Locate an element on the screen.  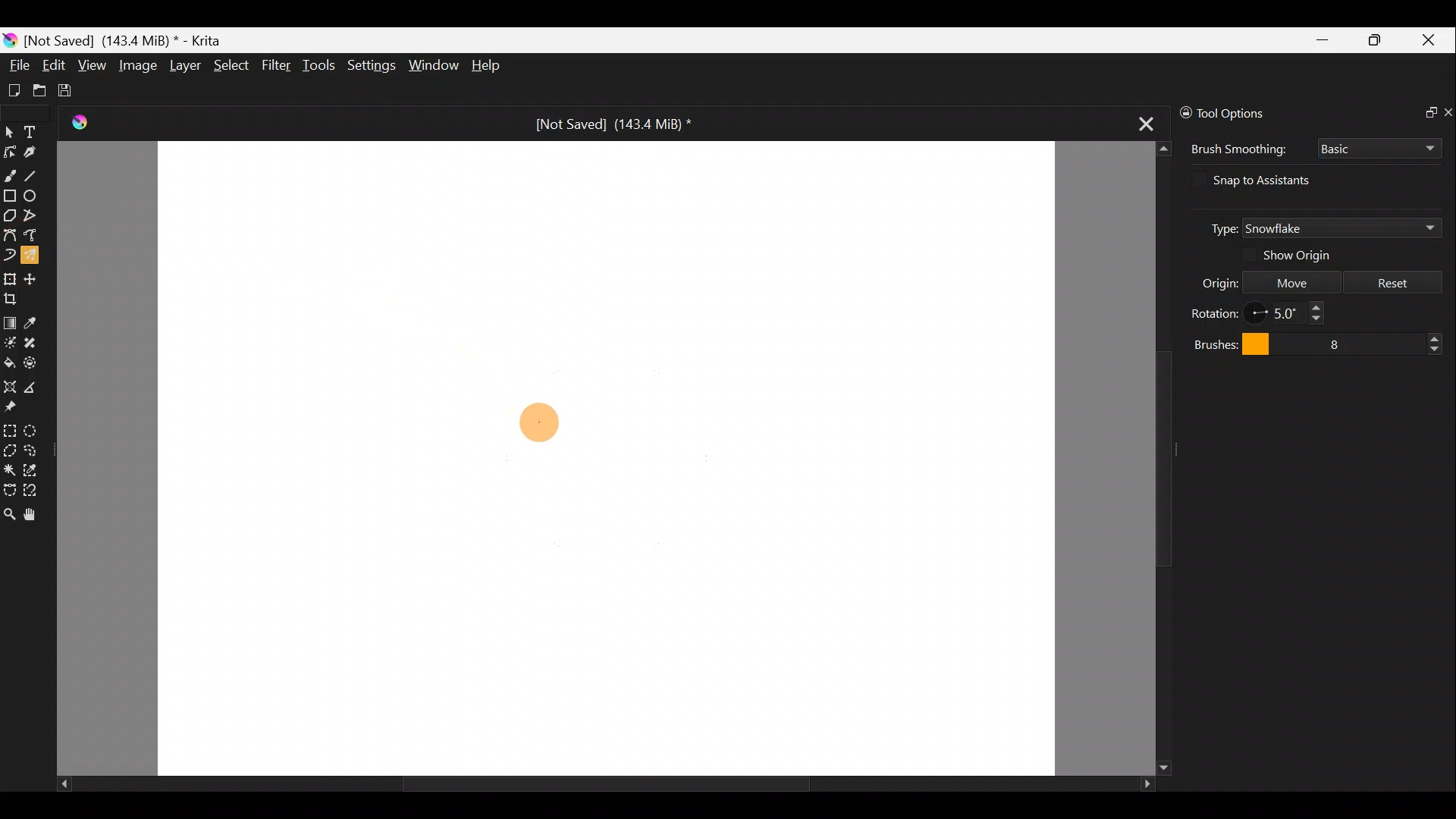
Freehand brush tool is located at coordinates (9, 174).